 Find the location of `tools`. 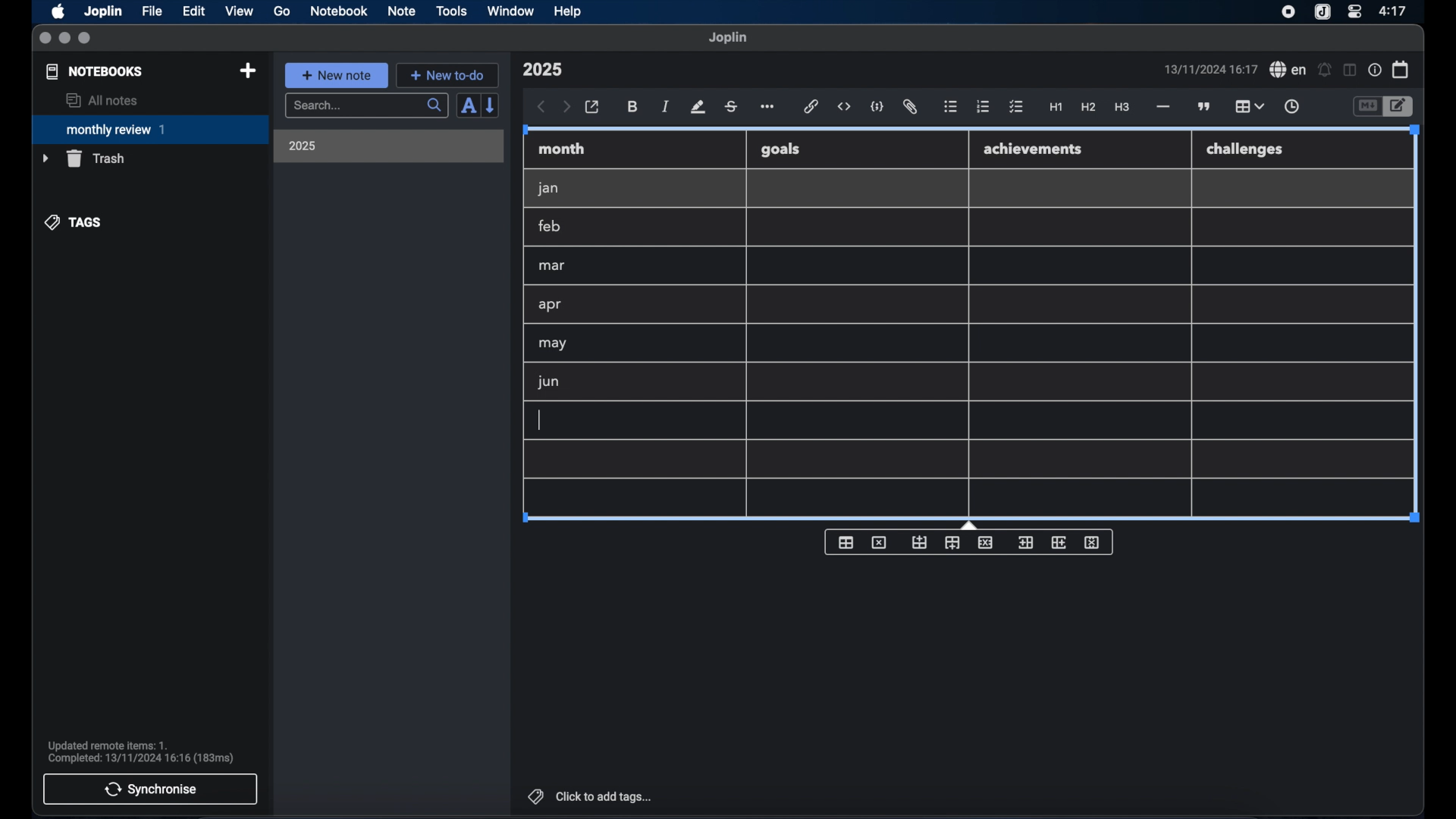

tools is located at coordinates (451, 11).